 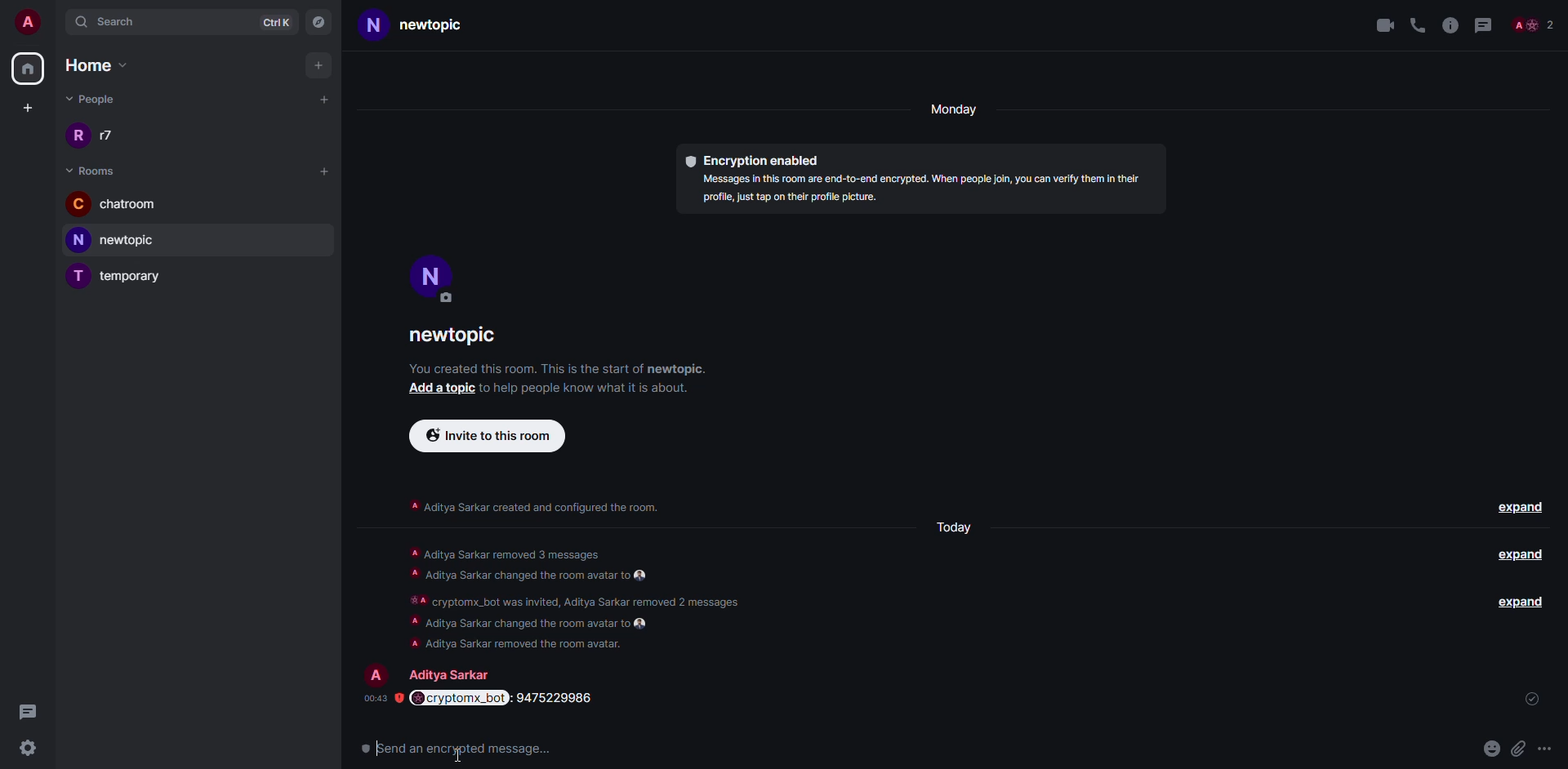 I want to click on voice call, so click(x=1418, y=23).